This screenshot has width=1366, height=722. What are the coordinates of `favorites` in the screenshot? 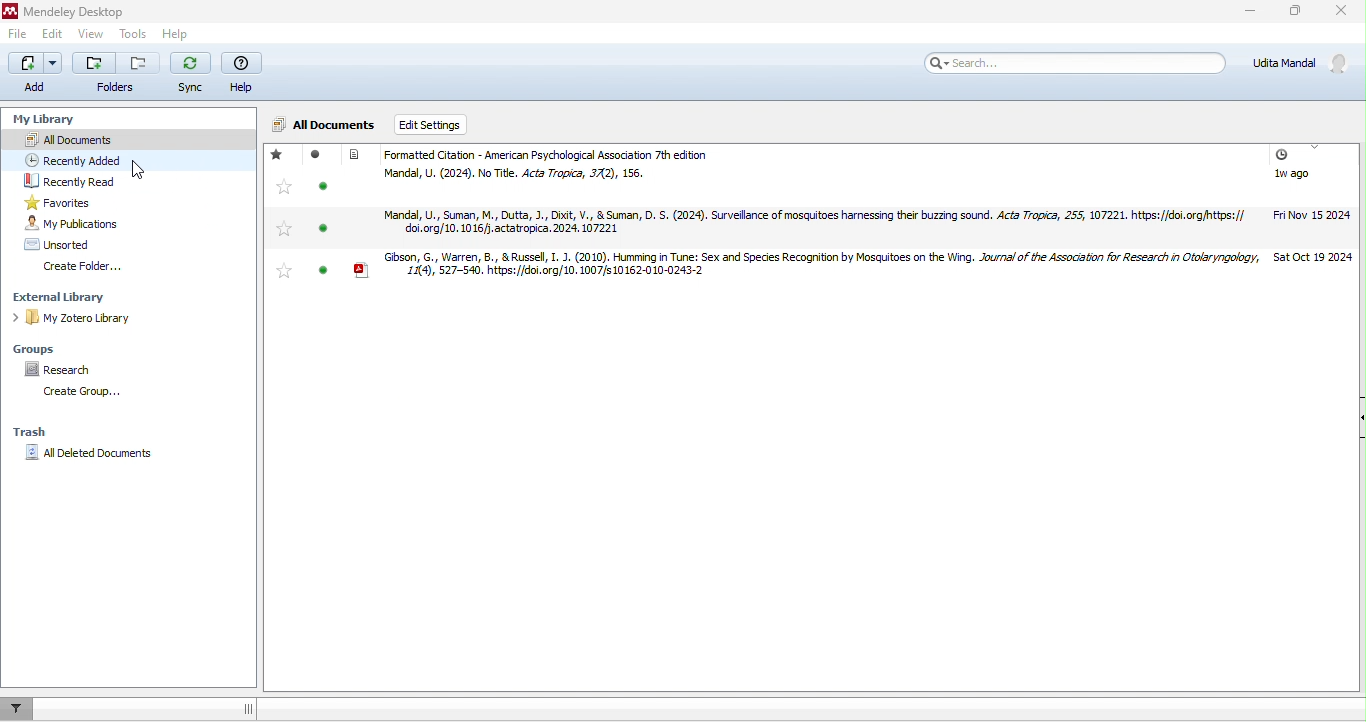 It's located at (285, 229).